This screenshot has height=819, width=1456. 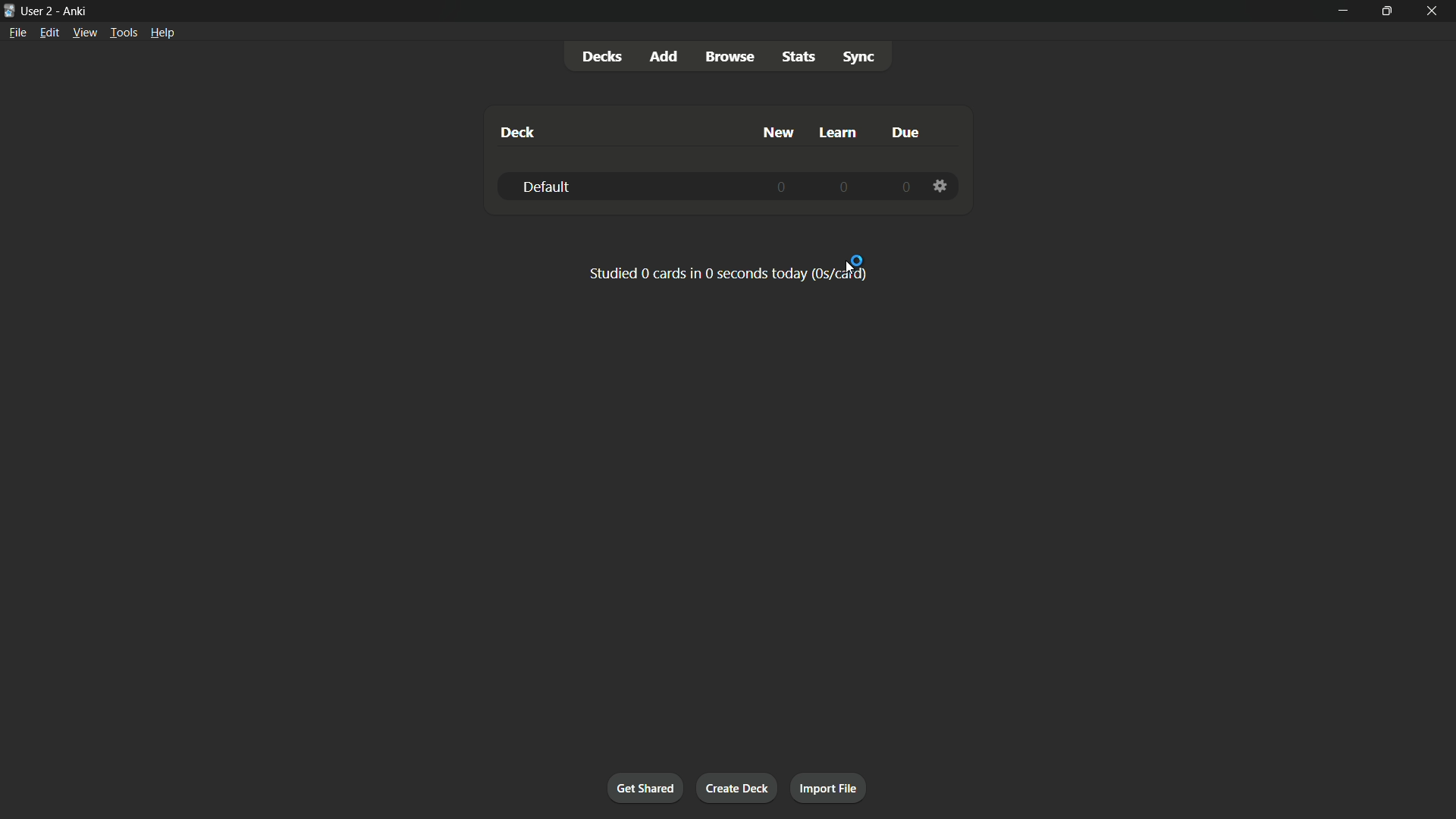 I want to click on 0, so click(x=846, y=186).